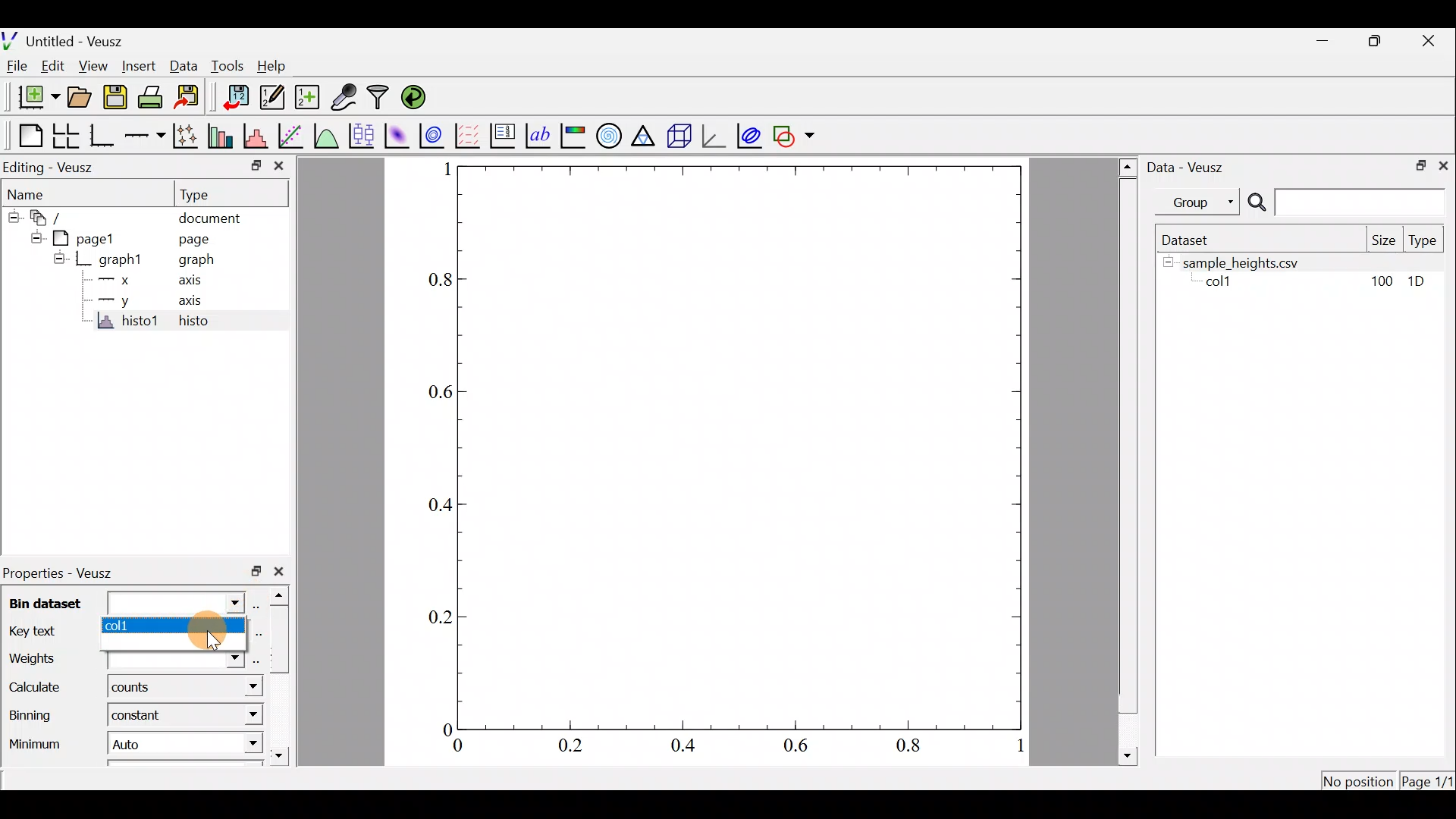  Describe the element at coordinates (26, 134) in the screenshot. I see `Blank page` at that location.